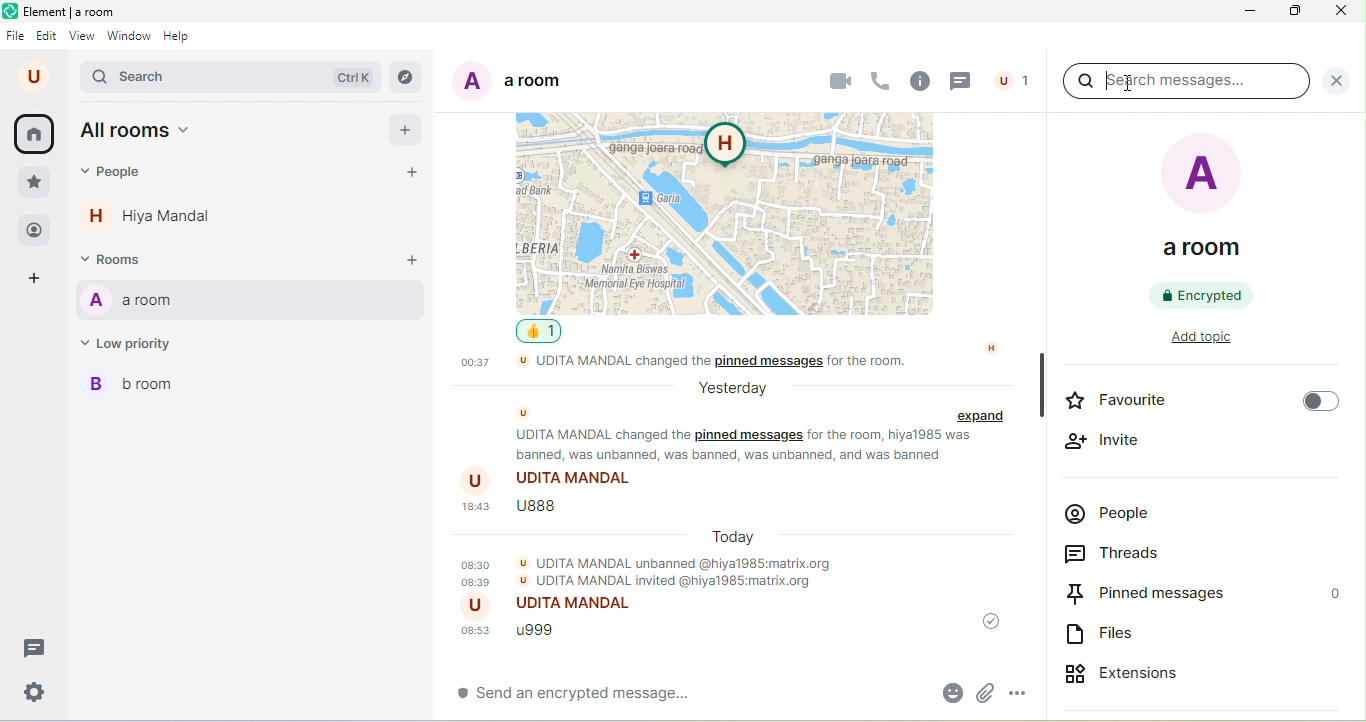 The image size is (1366, 722). I want to click on favourites, so click(34, 183).